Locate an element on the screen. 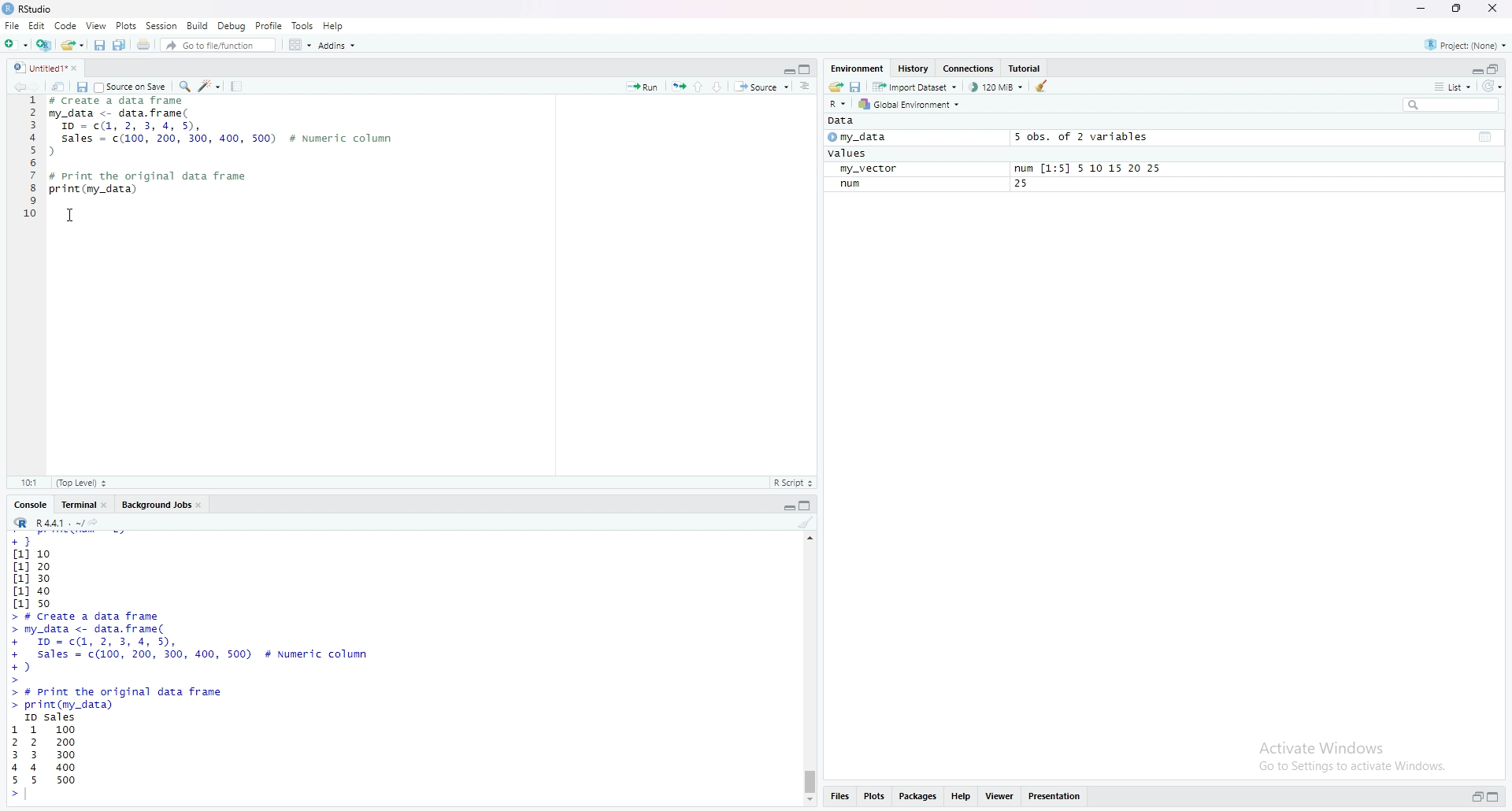 Image resolution: width=1512 pixels, height=811 pixels. tutorial is located at coordinates (1025, 69).